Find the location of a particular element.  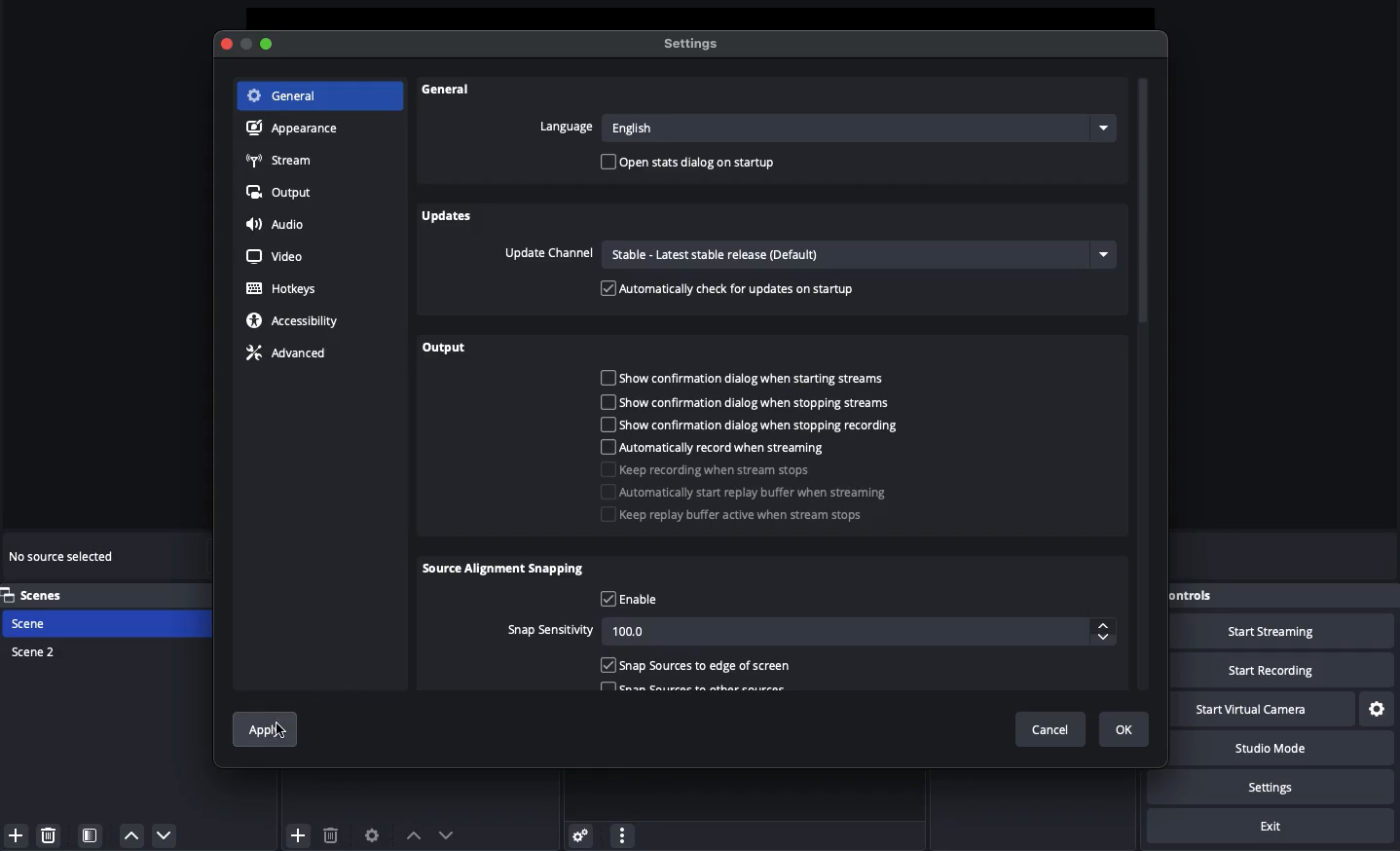

Hotkeys is located at coordinates (283, 289).